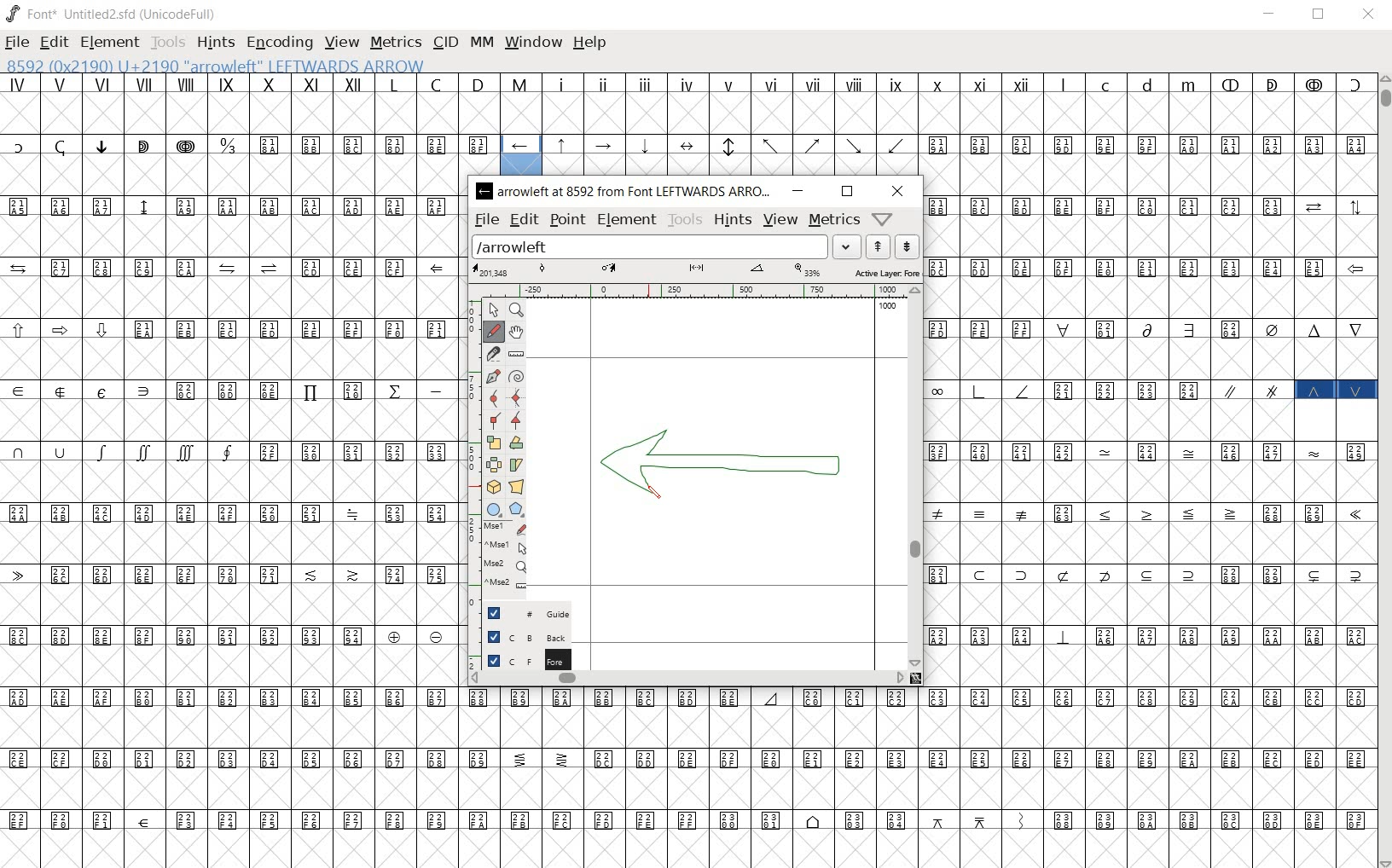 The height and width of the screenshot is (868, 1392). I want to click on element, so click(627, 219).